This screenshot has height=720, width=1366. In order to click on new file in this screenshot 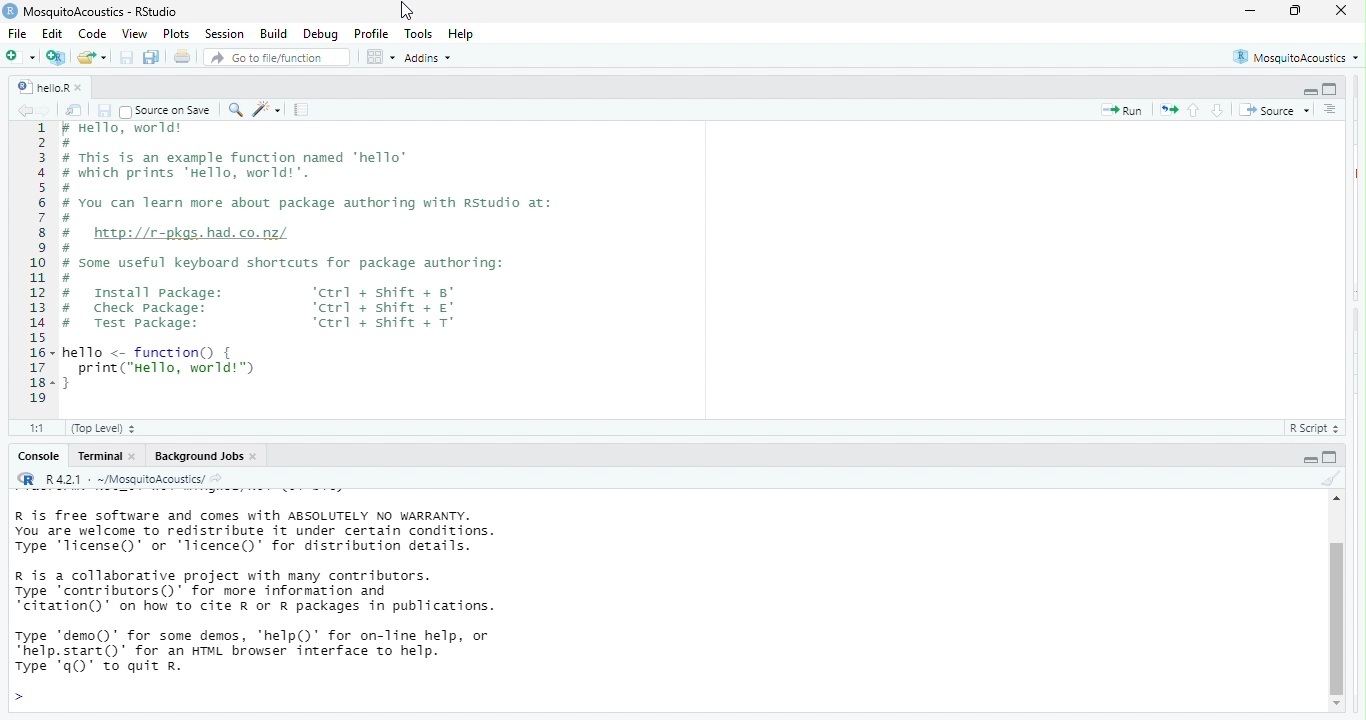, I will do `click(19, 57)`.